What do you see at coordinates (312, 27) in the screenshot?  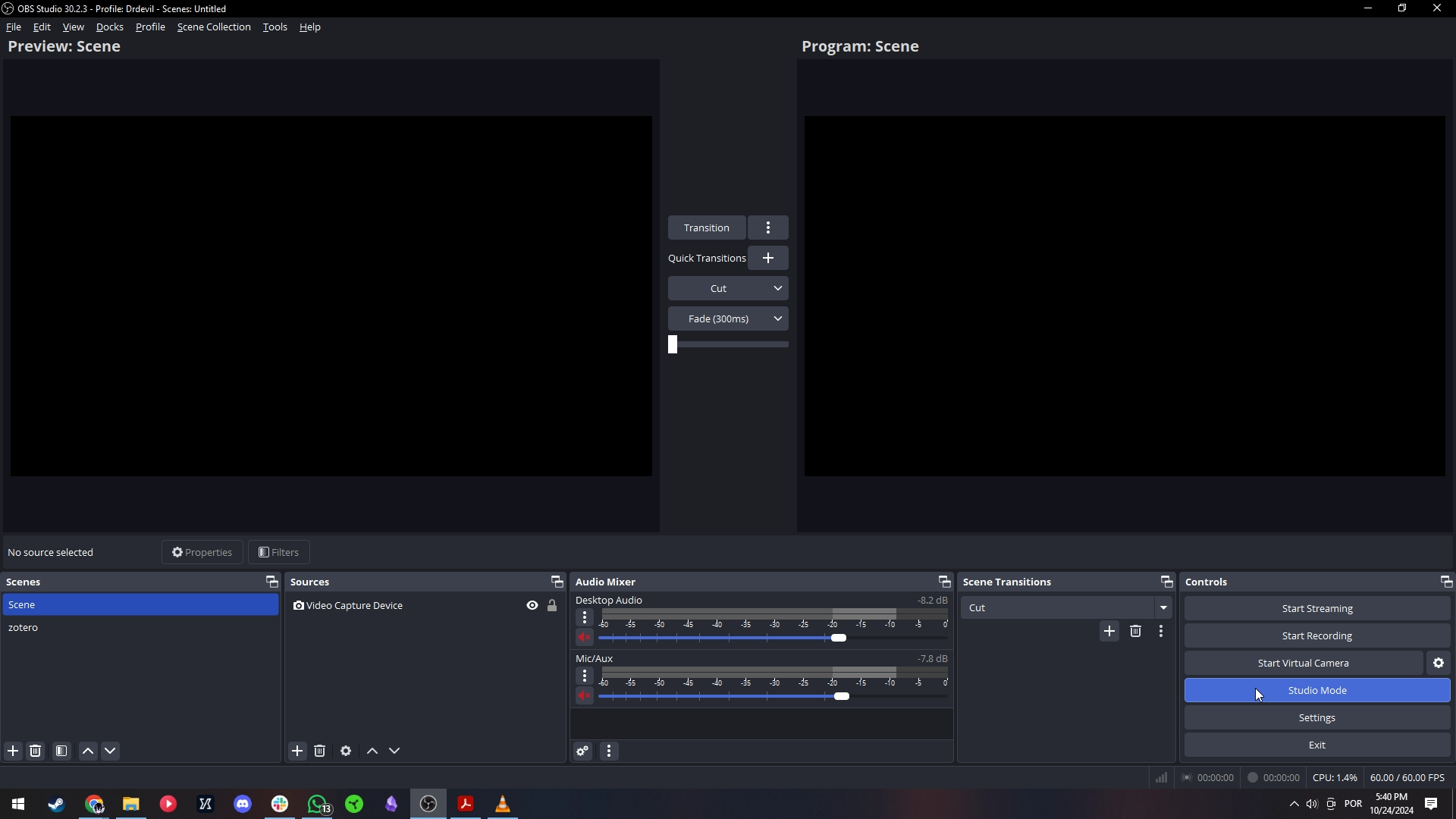 I see `Help` at bounding box center [312, 27].